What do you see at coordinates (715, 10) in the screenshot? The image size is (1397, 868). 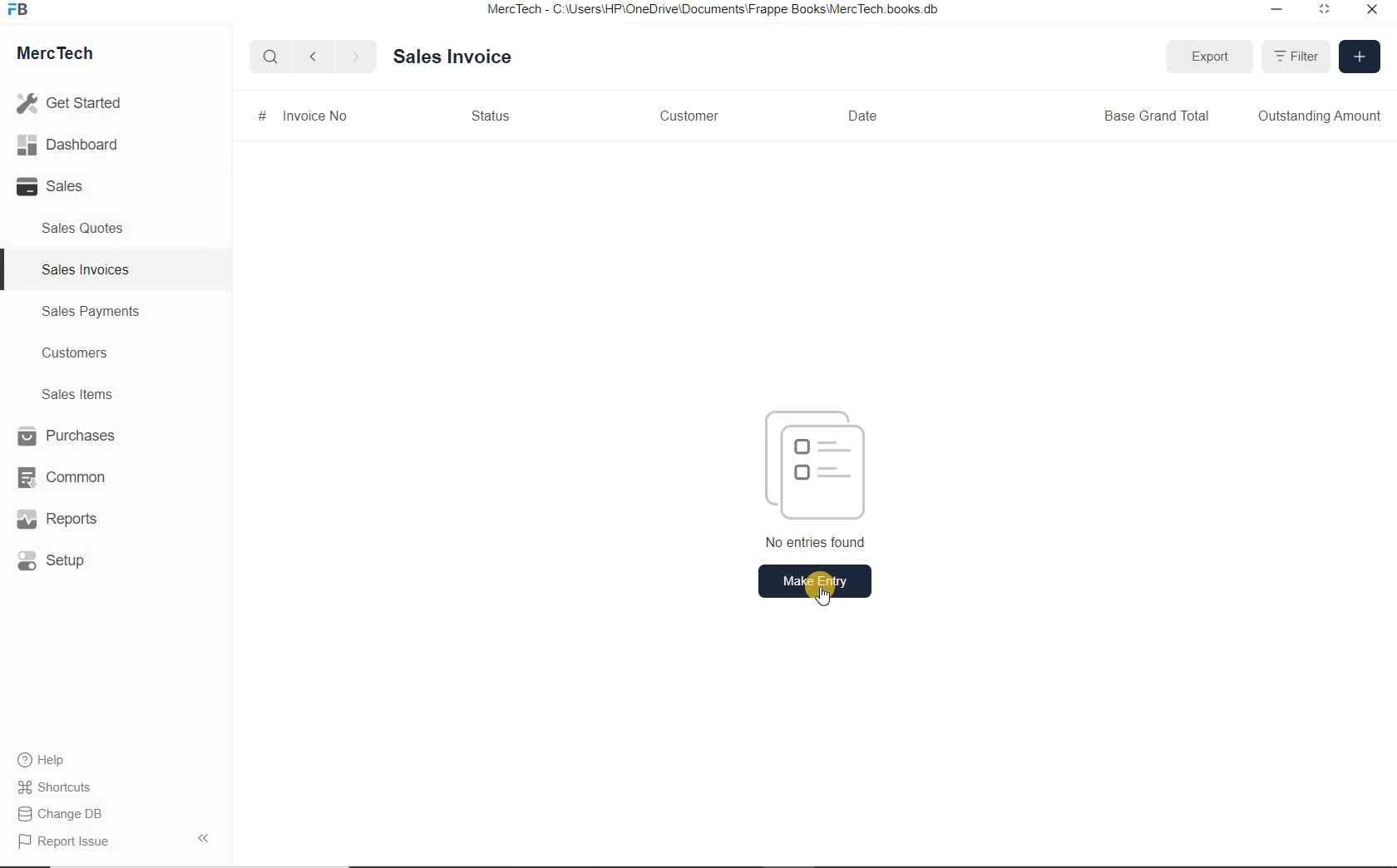 I see `MercTech - C:\Users\HP\OneDrive\Documents\Frappe Books\MercTech books db` at bounding box center [715, 10].